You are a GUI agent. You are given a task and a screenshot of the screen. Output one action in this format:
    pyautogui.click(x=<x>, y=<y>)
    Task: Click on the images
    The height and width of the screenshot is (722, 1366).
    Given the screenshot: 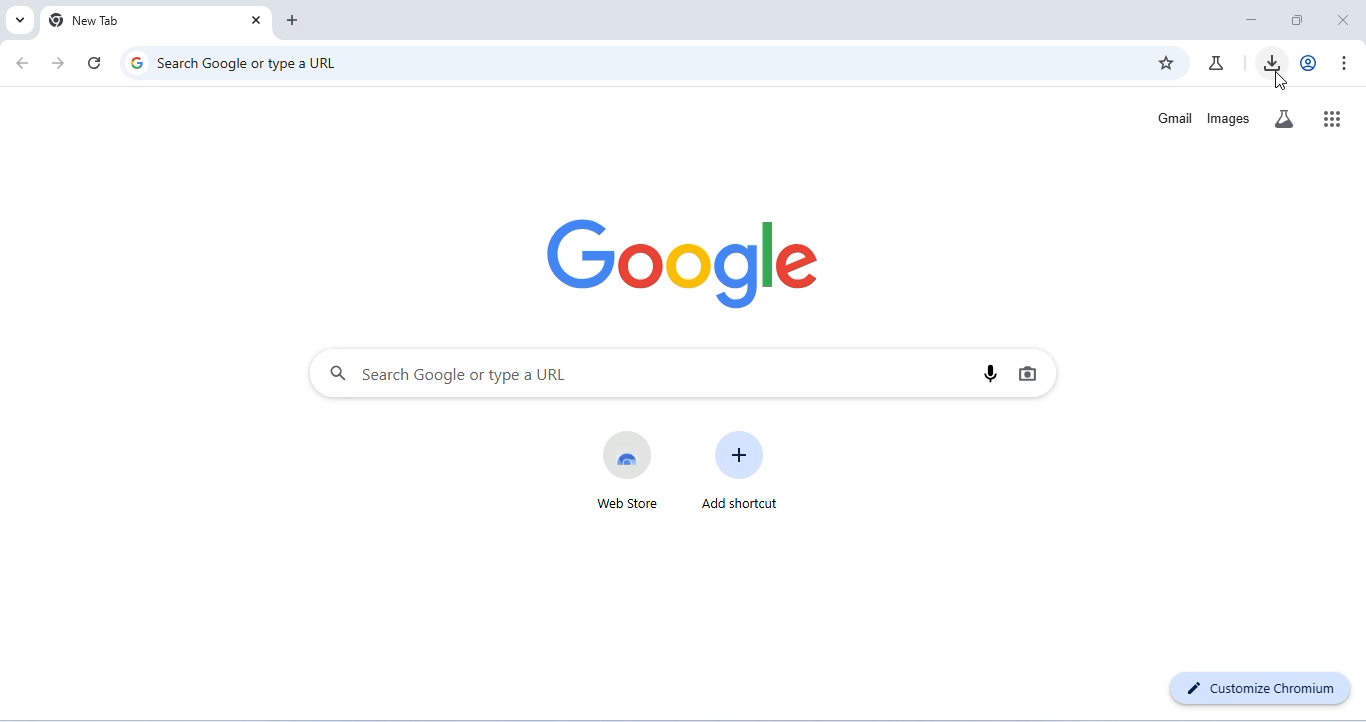 What is the action you would take?
    pyautogui.click(x=1228, y=119)
    